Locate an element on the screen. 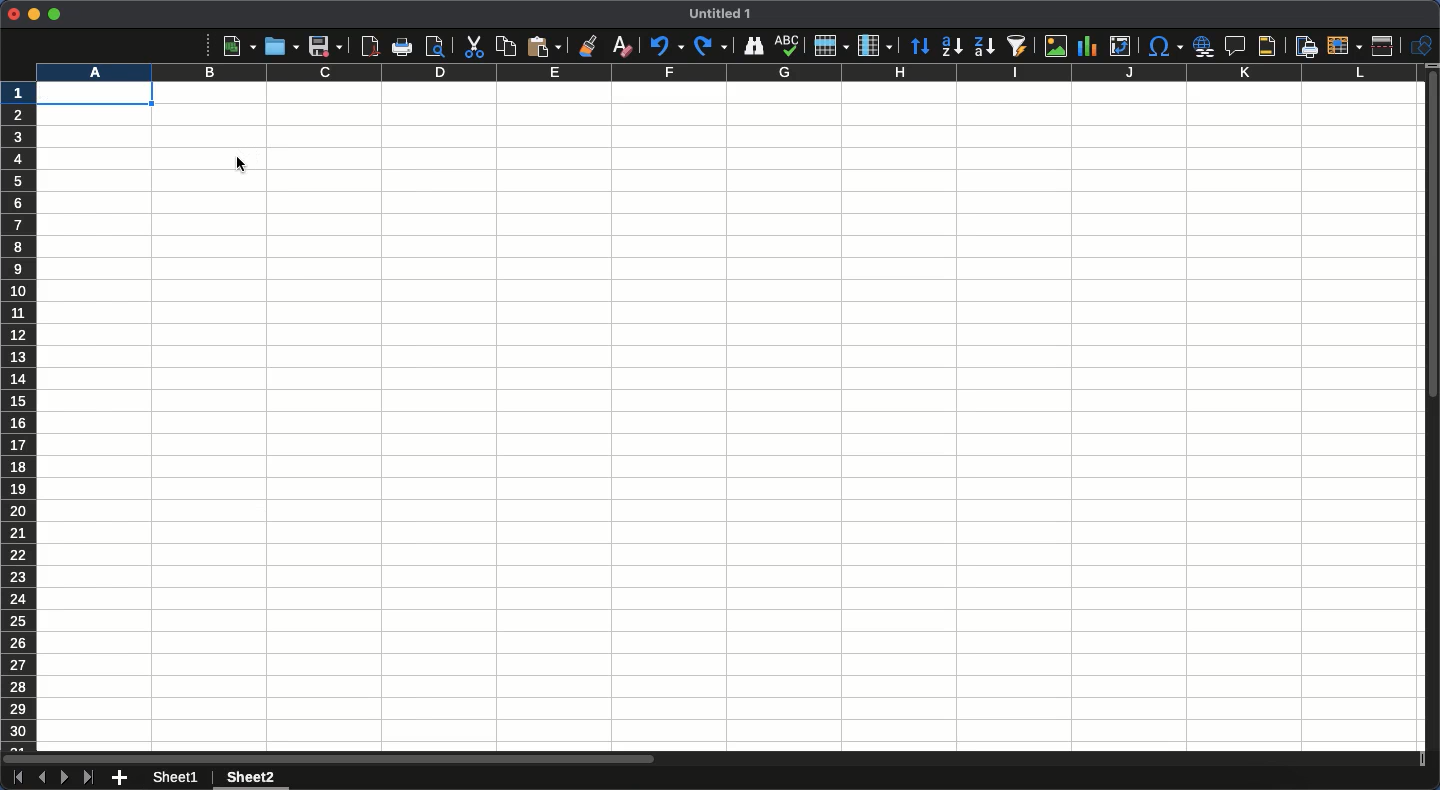 Image resolution: width=1440 pixels, height=790 pixels. Chart is located at coordinates (1085, 48).